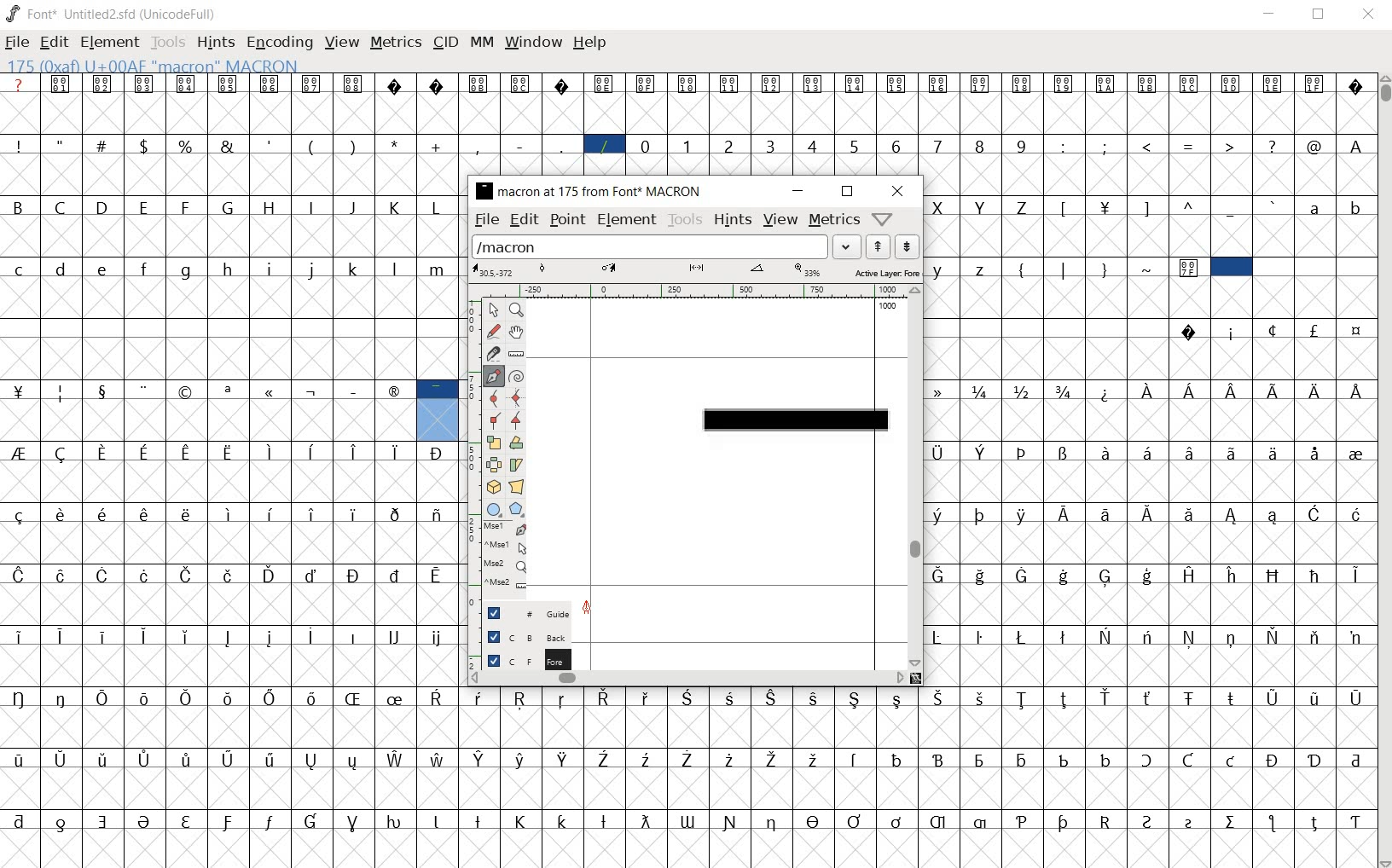 Image resolution: width=1392 pixels, height=868 pixels. What do you see at coordinates (1273, 205) in the screenshot?
I see ``` at bounding box center [1273, 205].